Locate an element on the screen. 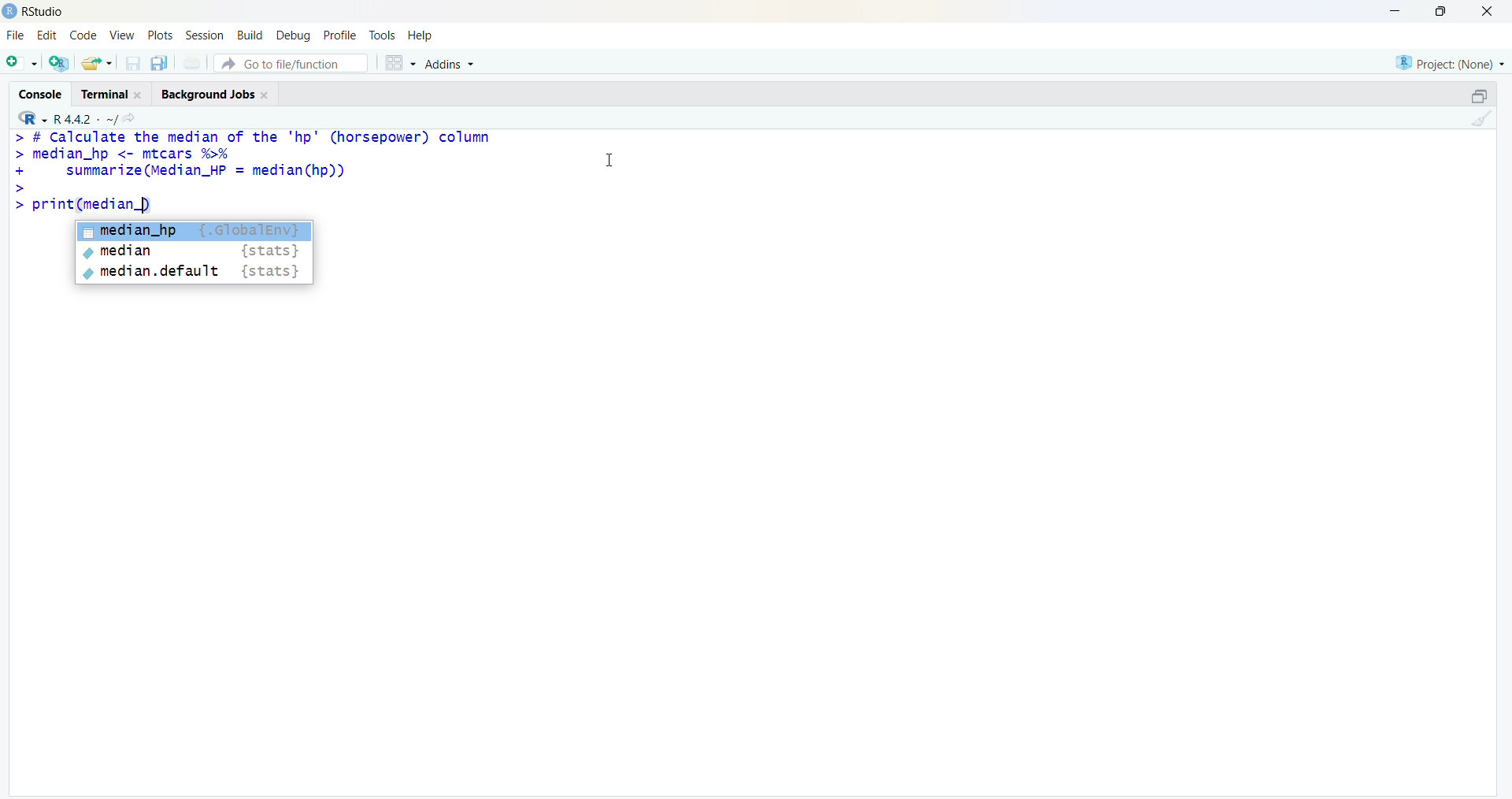  grid is located at coordinates (401, 62).